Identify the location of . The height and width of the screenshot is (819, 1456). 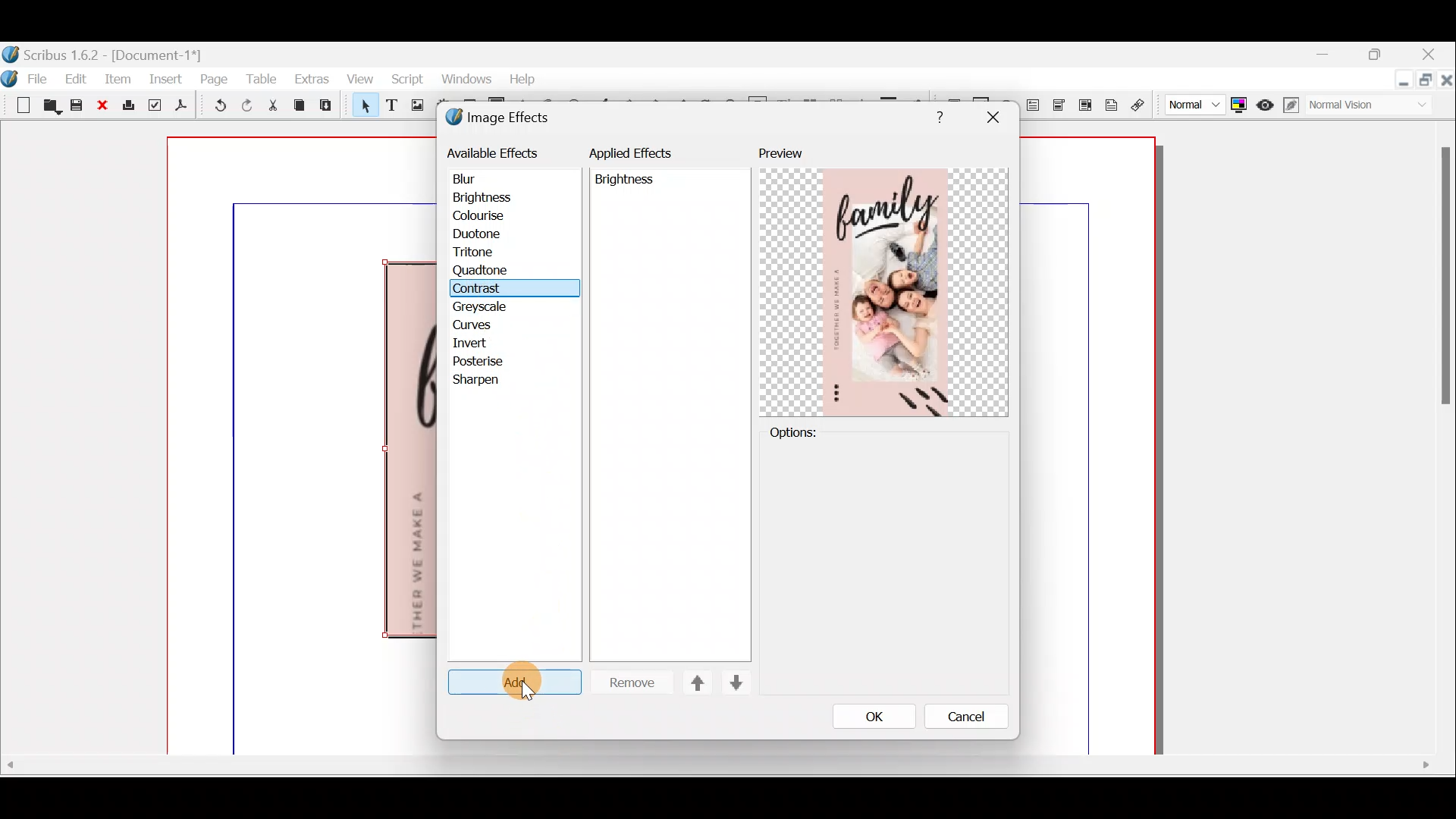
(628, 182).